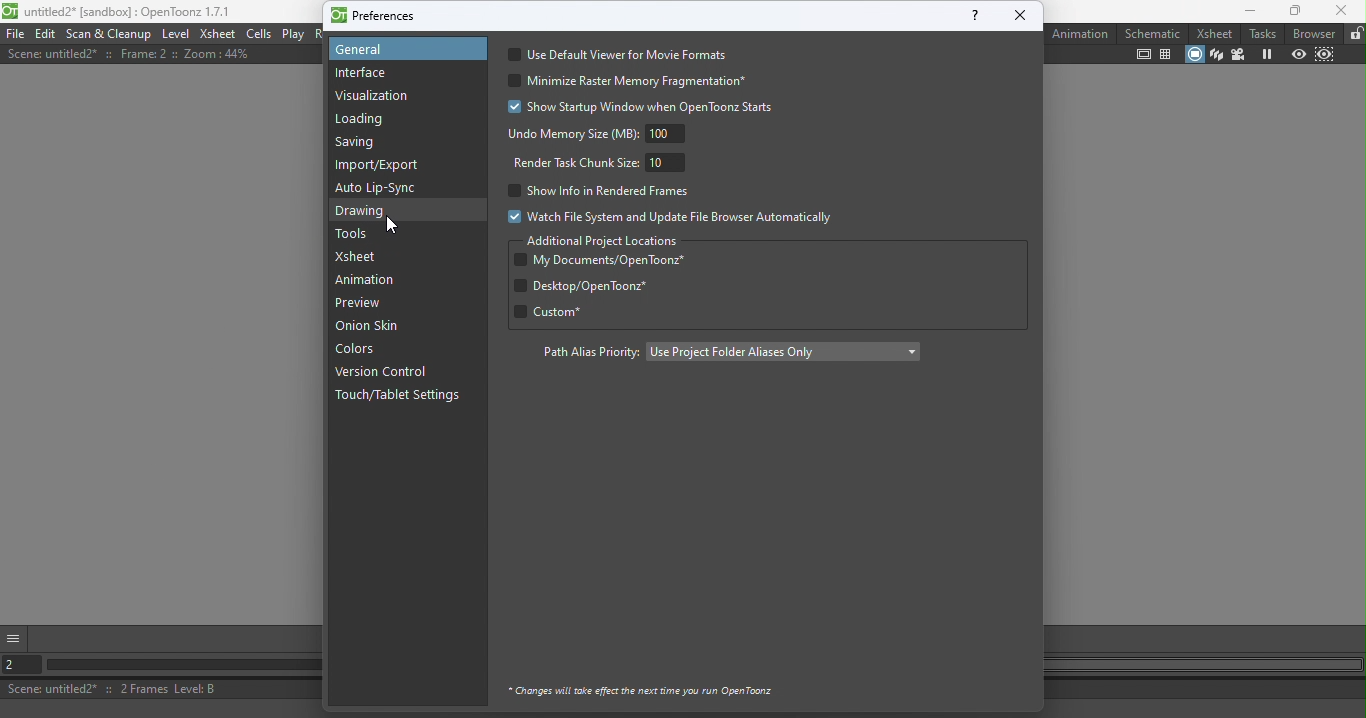 The height and width of the screenshot is (718, 1366). Describe the element at coordinates (355, 234) in the screenshot. I see `Tools` at that location.